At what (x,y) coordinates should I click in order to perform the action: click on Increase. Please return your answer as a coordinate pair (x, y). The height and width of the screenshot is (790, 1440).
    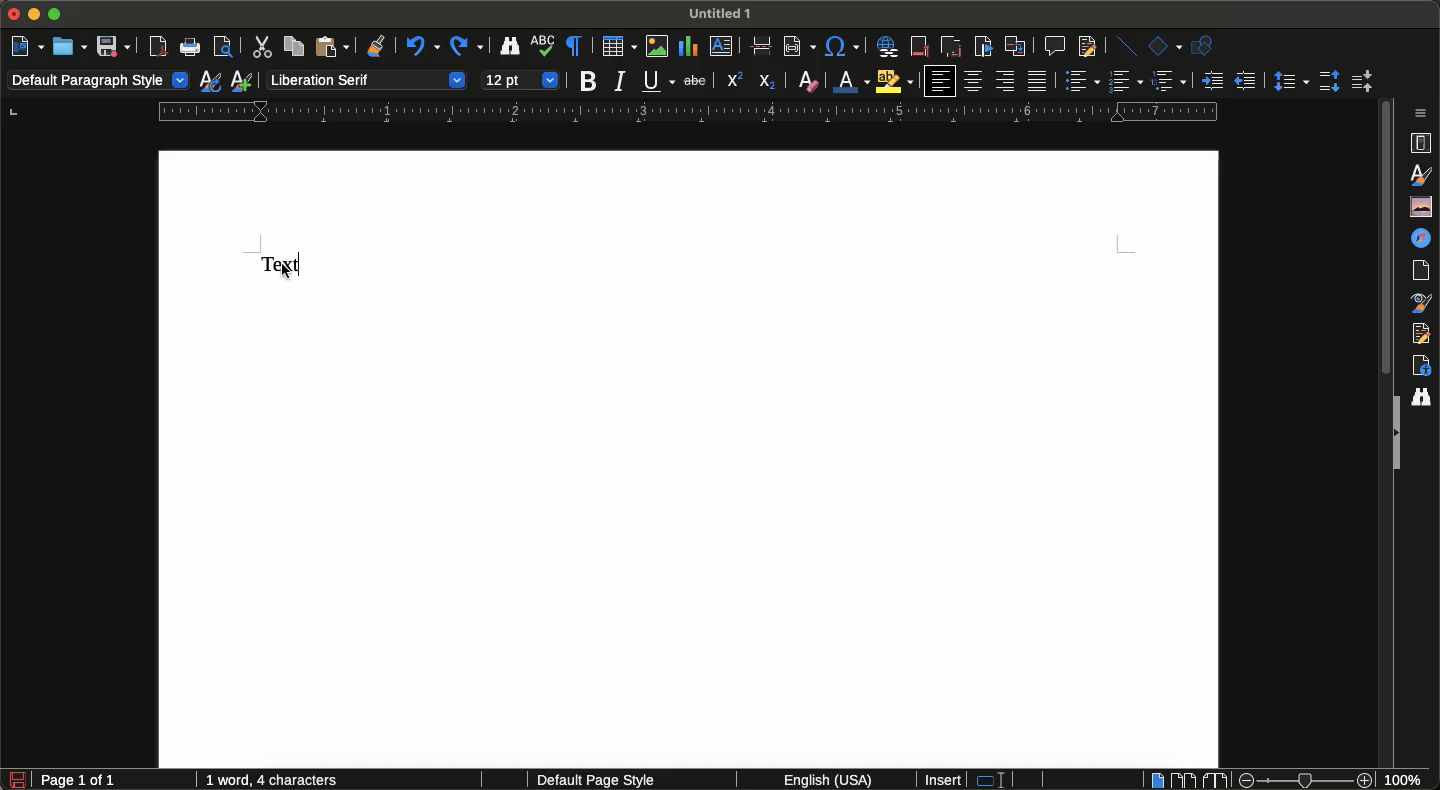
    Looking at the image, I should click on (1212, 80).